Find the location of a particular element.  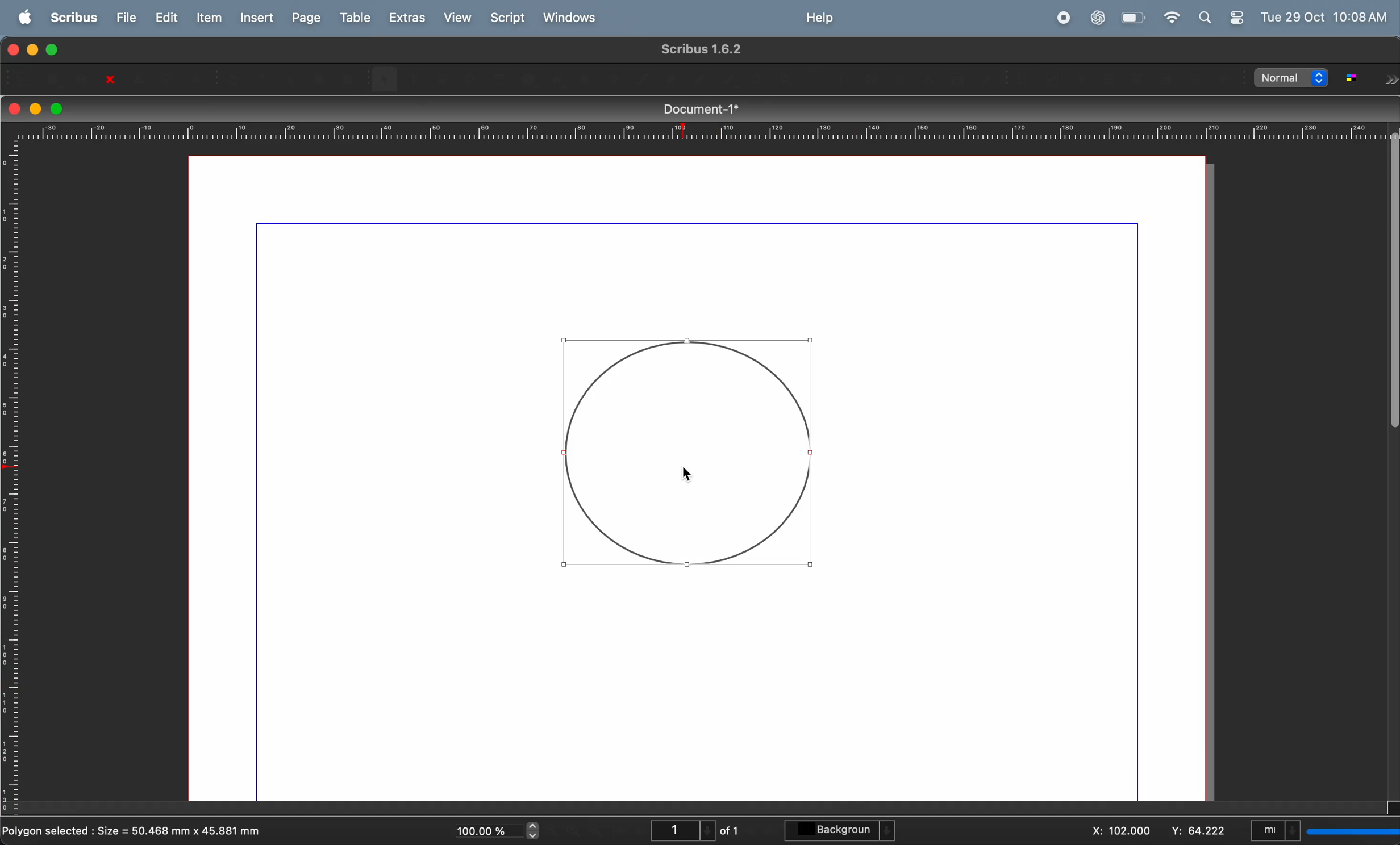

closing window is located at coordinates (13, 49).